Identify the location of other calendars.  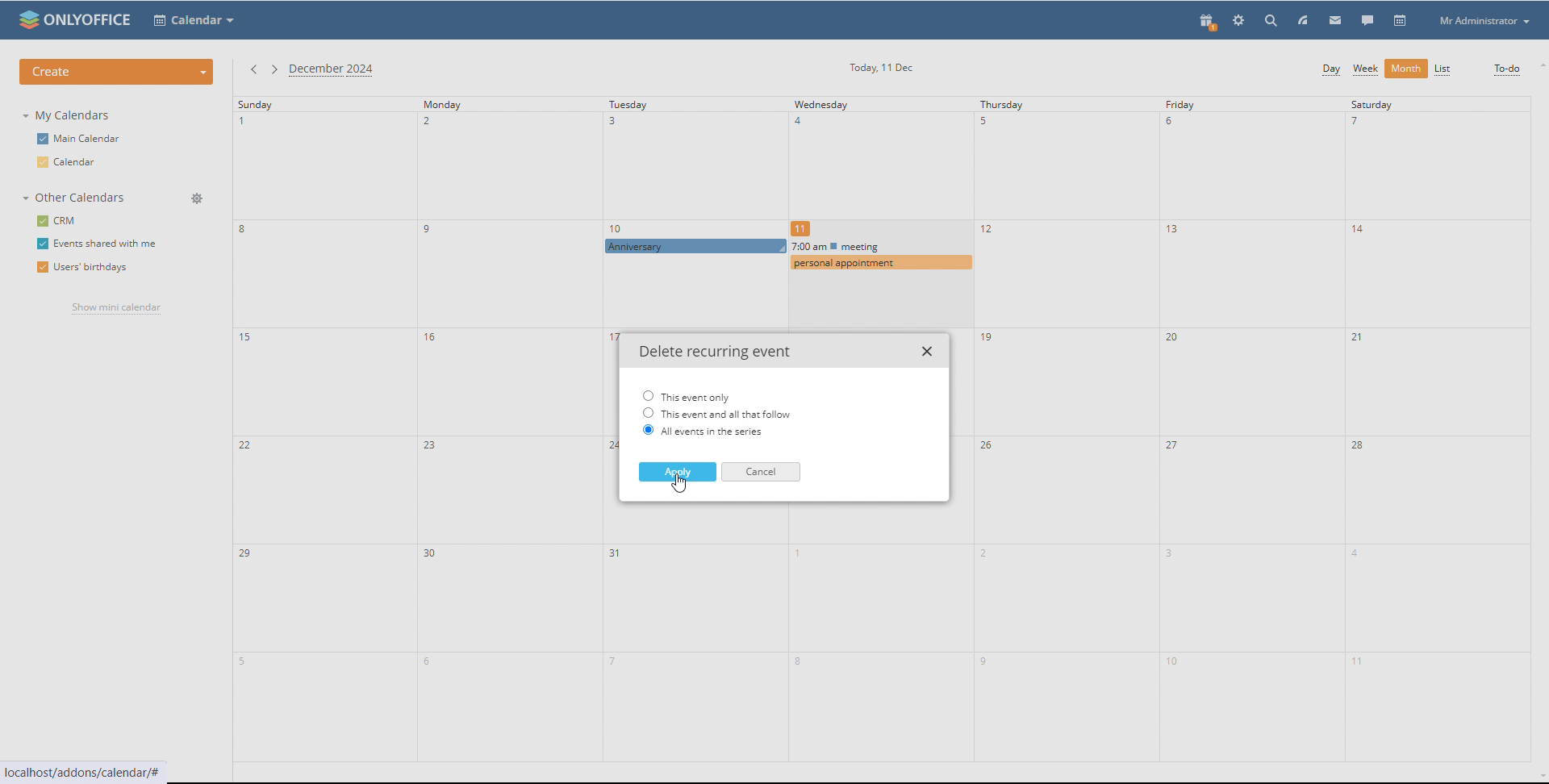
(77, 198).